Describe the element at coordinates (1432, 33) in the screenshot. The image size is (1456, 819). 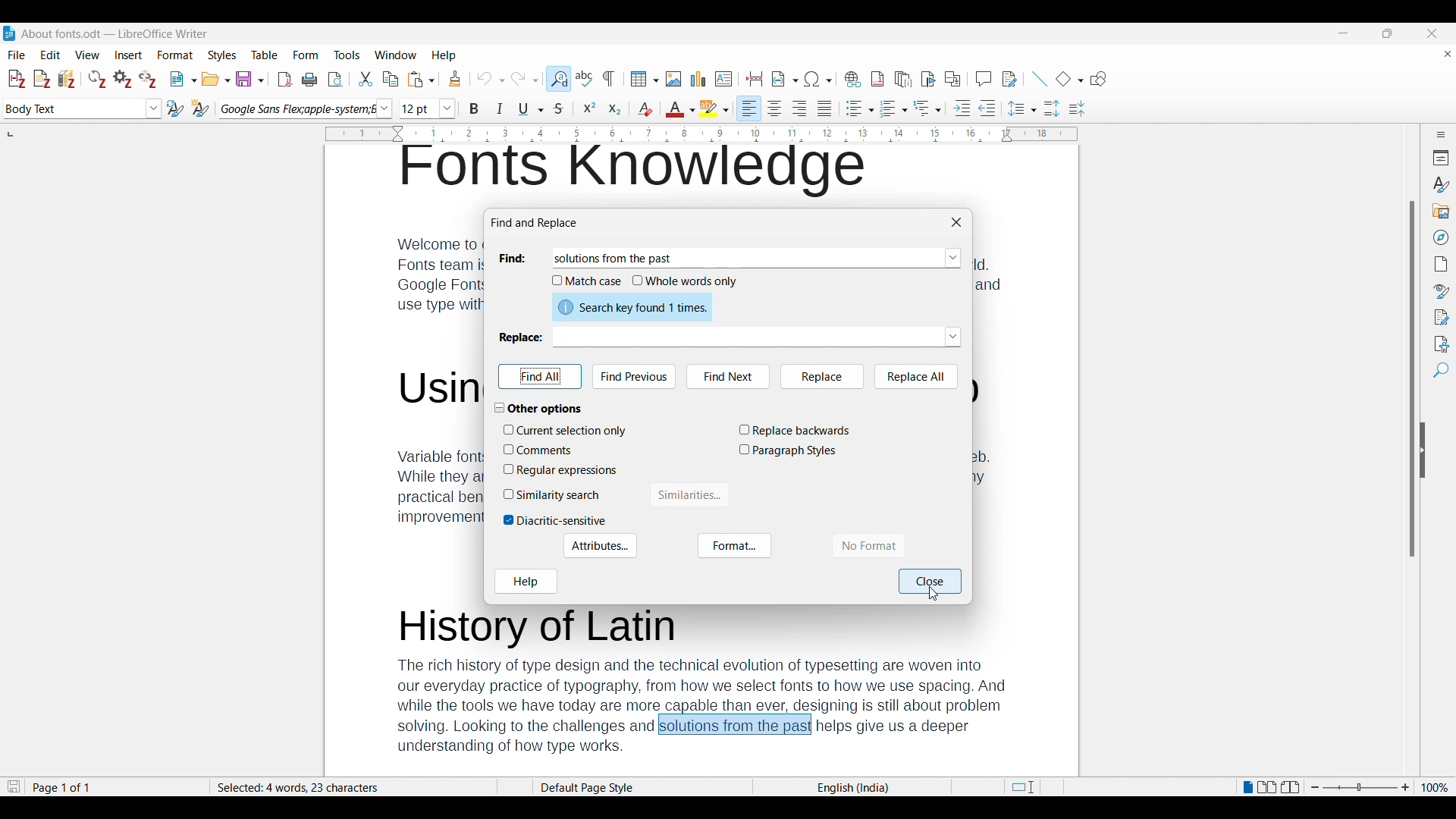
I see `Close interface` at that location.